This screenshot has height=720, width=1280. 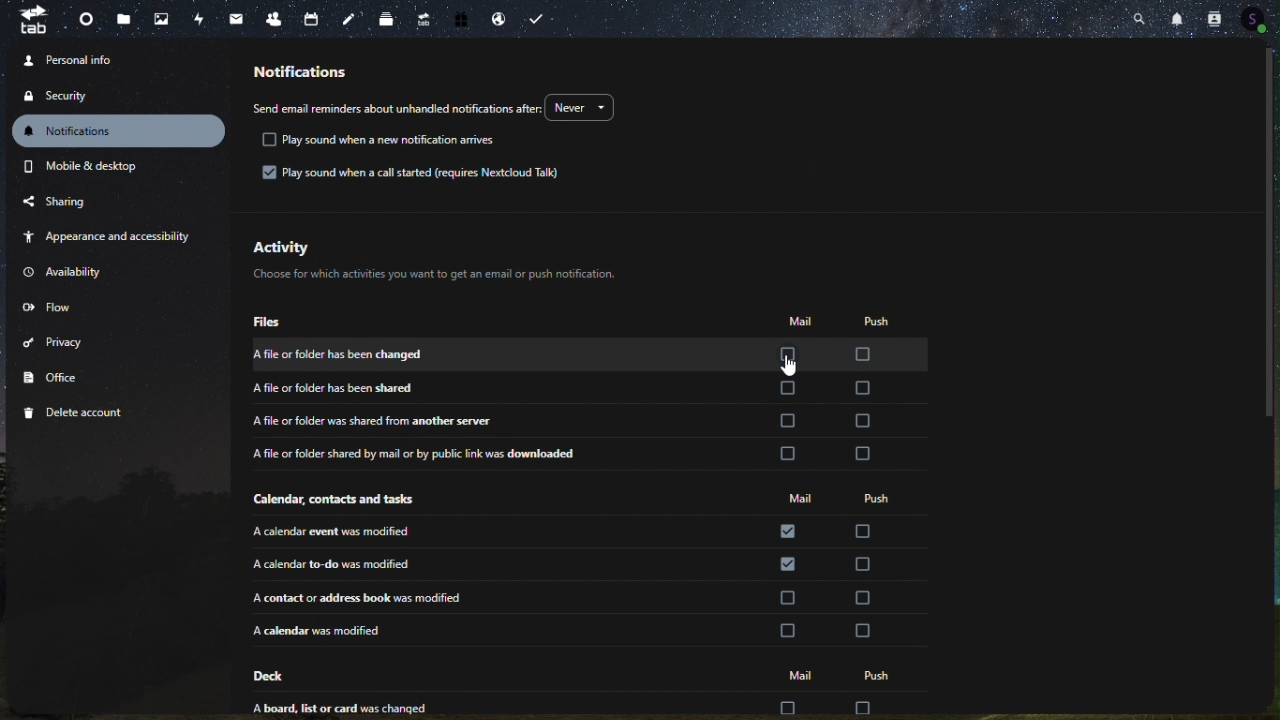 What do you see at coordinates (792, 530) in the screenshot?
I see `check box` at bounding box center [792, 530].